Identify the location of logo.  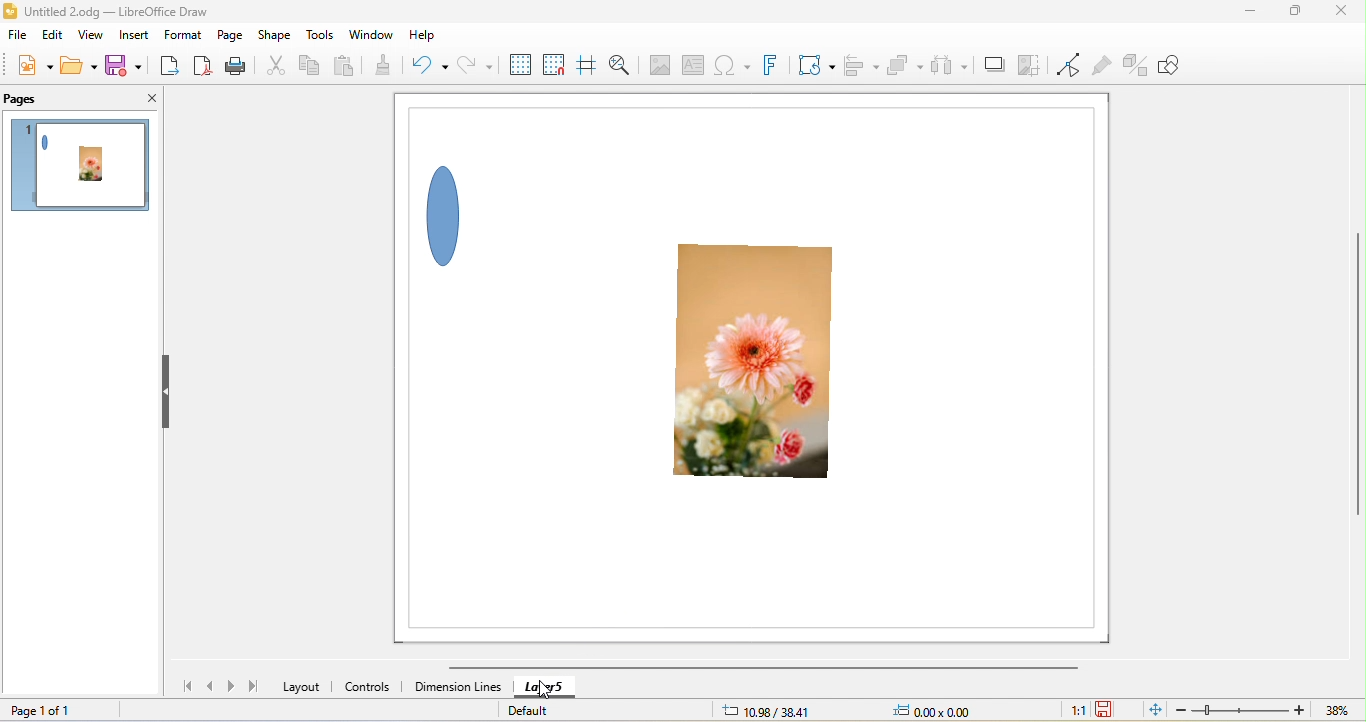
(11, 11).